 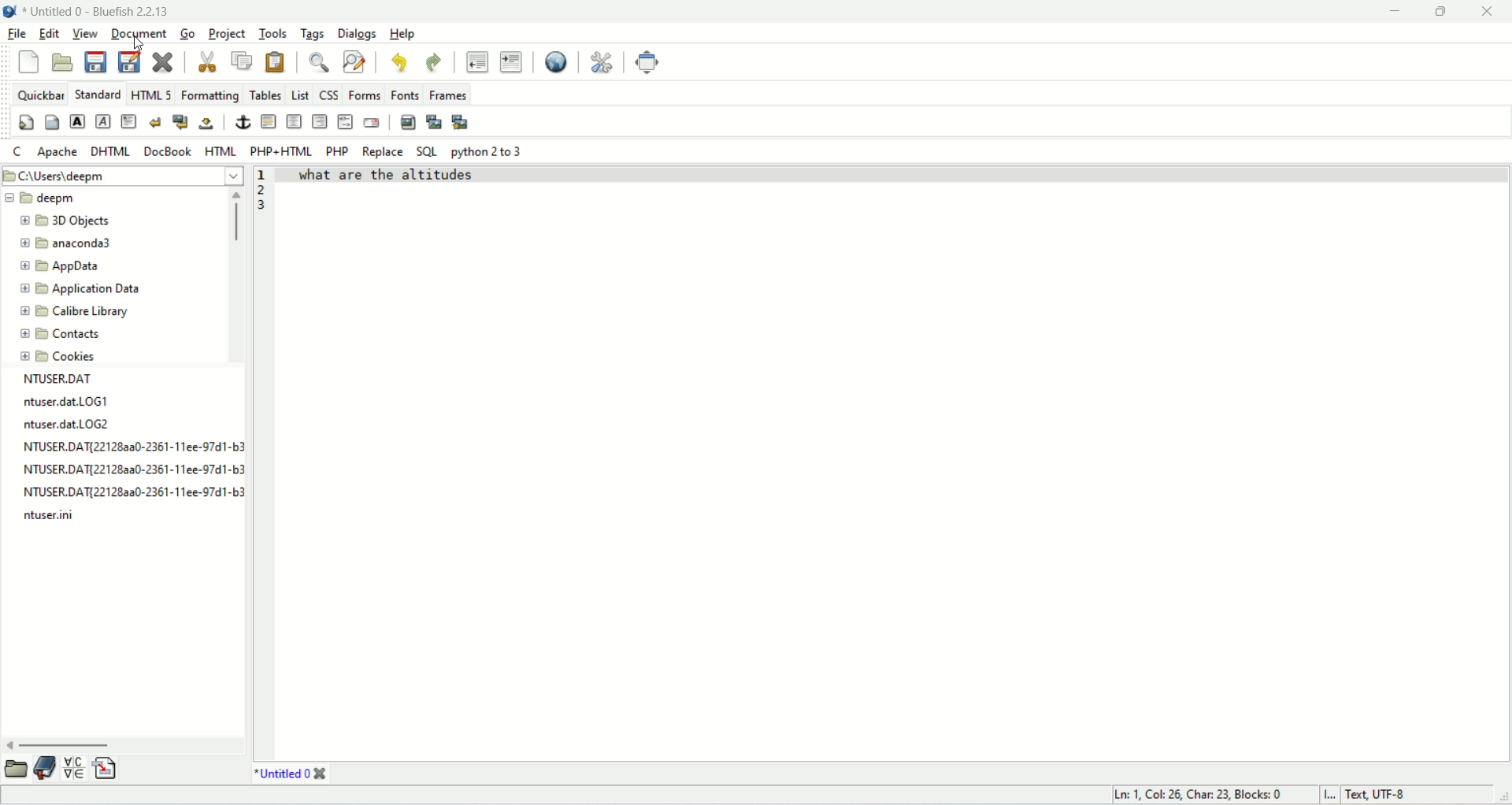 What do you see at coordinates (273, 33) in the screenshot?
I see `tools` at bounding box center [273, 33].